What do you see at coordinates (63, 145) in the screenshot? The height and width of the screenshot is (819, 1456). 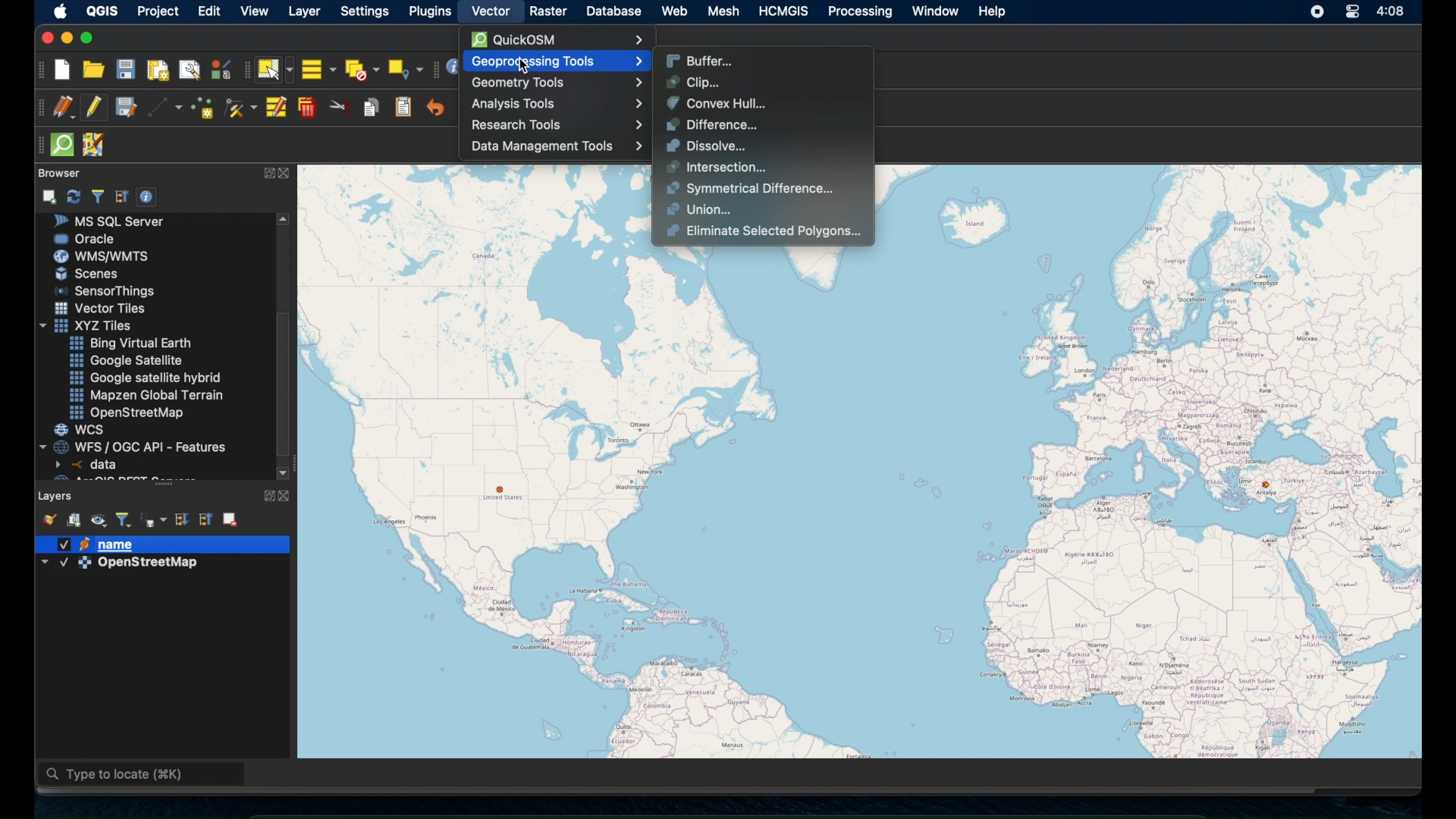 I see `quicksom` at bounding box center [63, 145].